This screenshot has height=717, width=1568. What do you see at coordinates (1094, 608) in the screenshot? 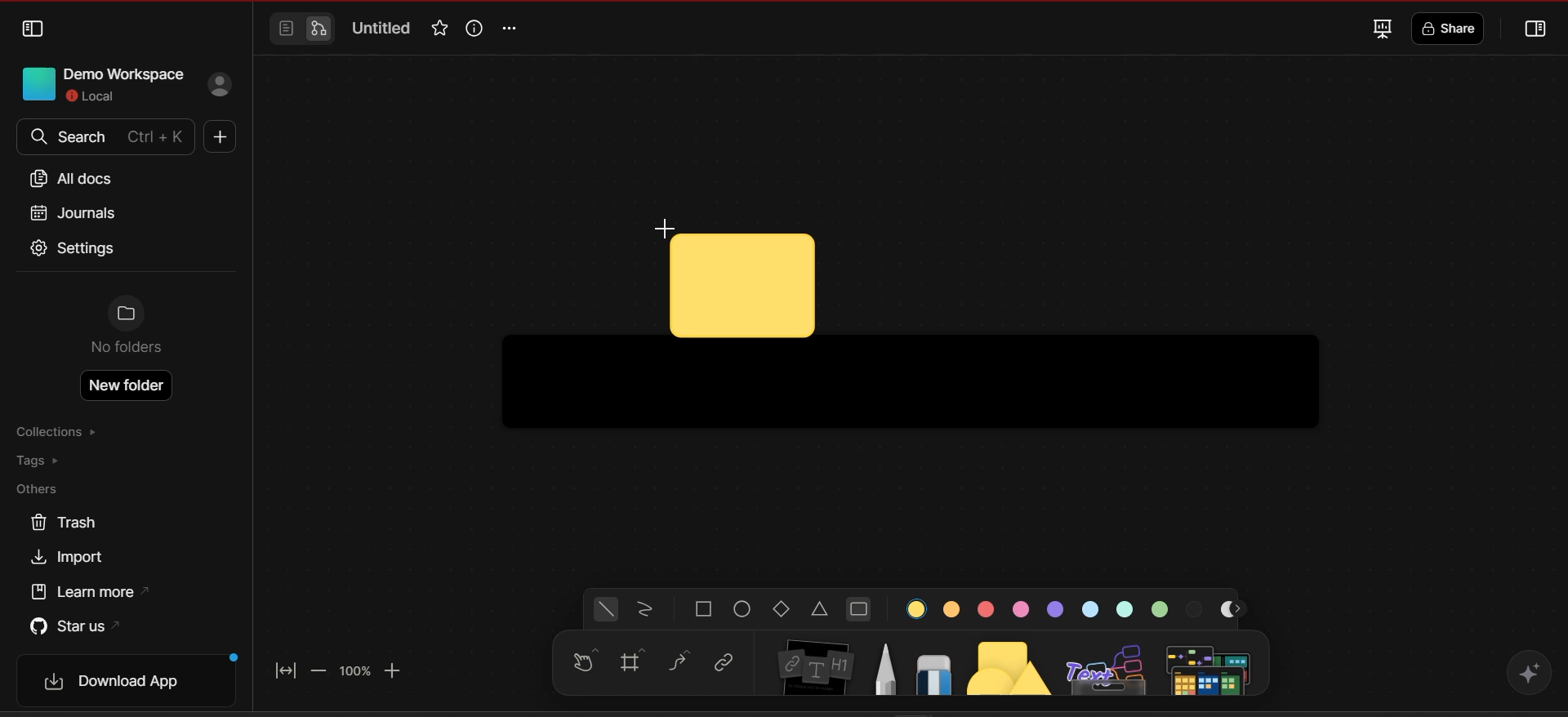
I see `color 6` at bounding box center [1094, 608].